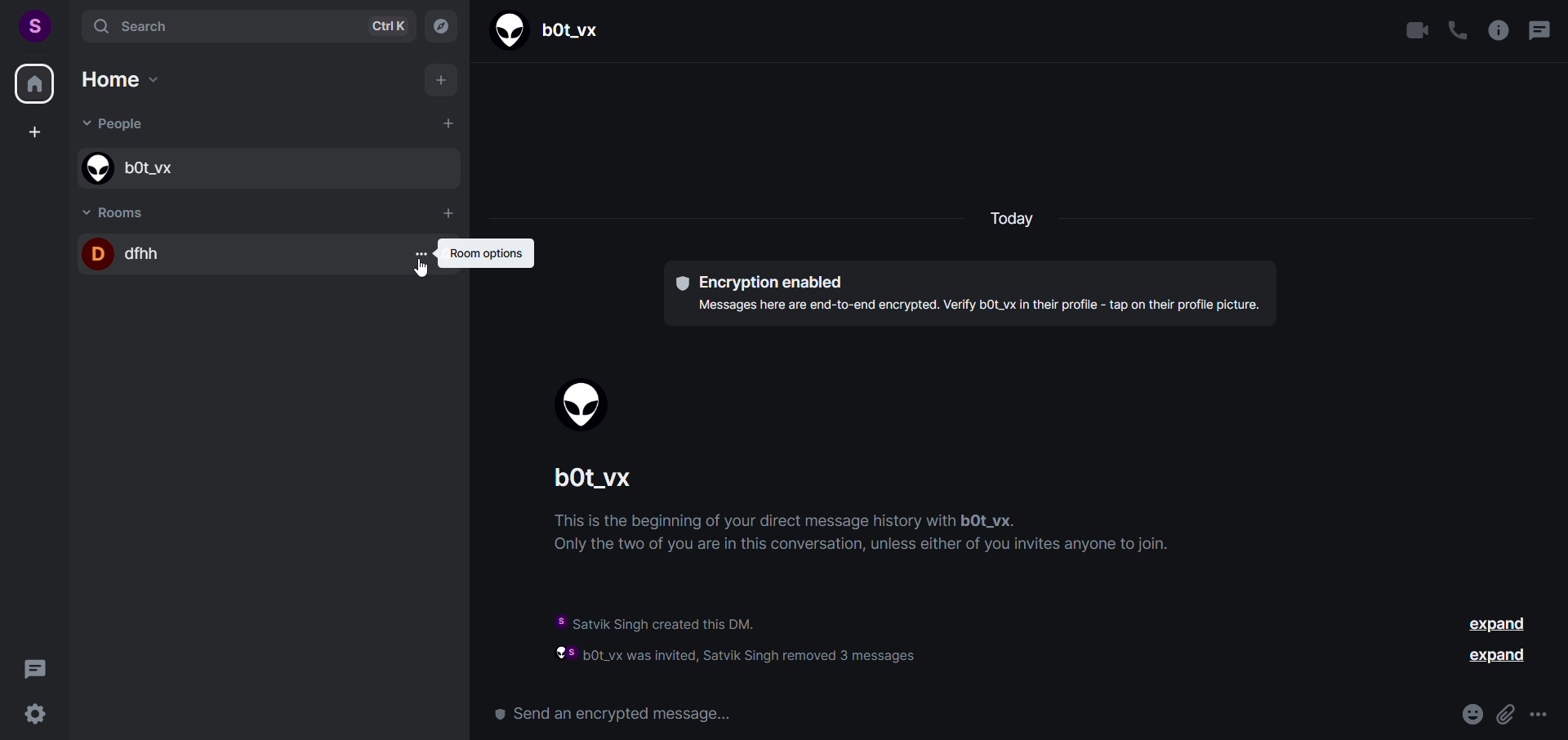 The image size is (1568, 740). Describe the element at coordinates (420, 252) in the screenshot. I see `more room options` at that location.